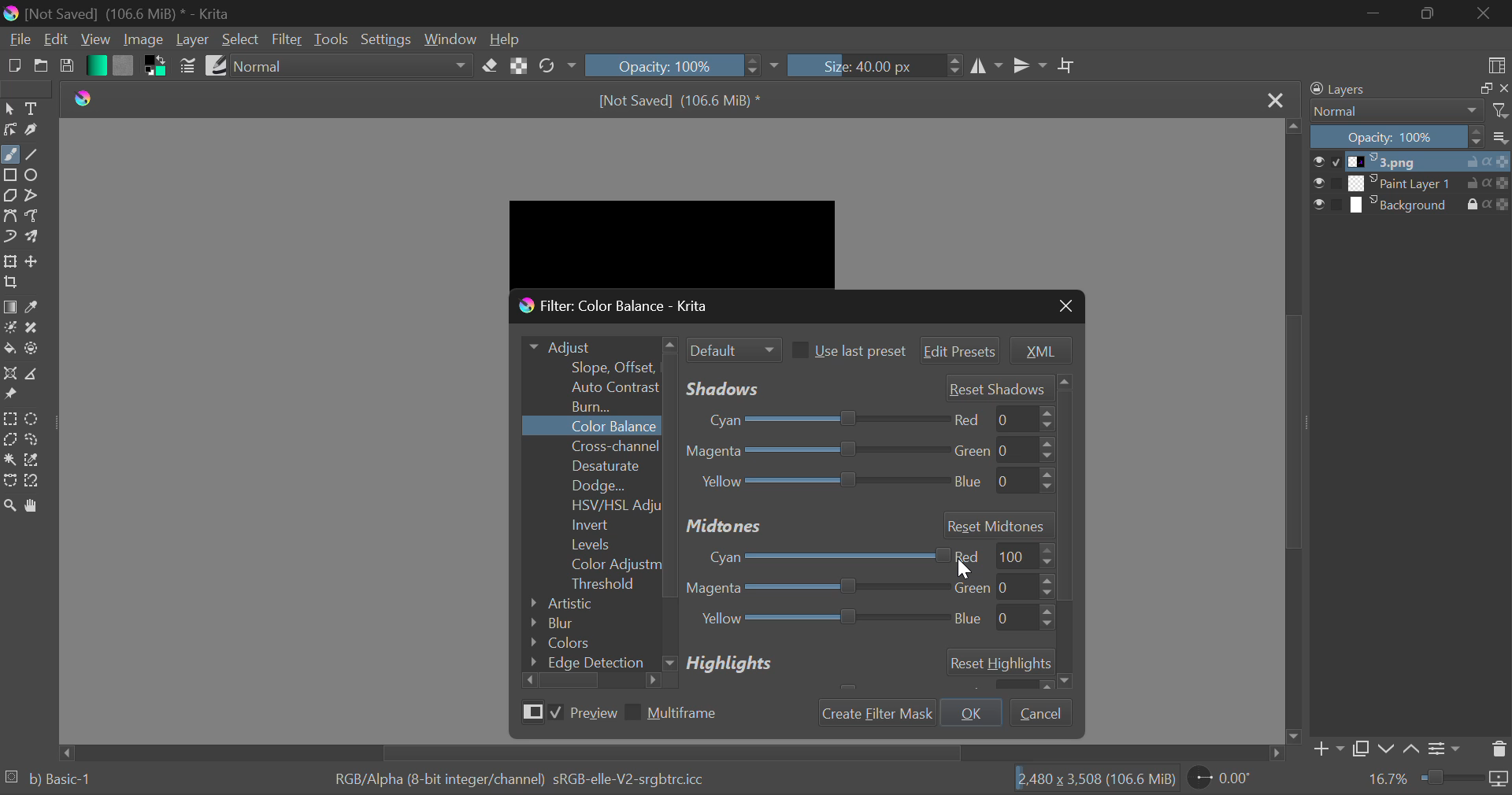  Describe the element at coordinates (36, 217) in the screenshot. I see `Freehand Path Tool` at that location.